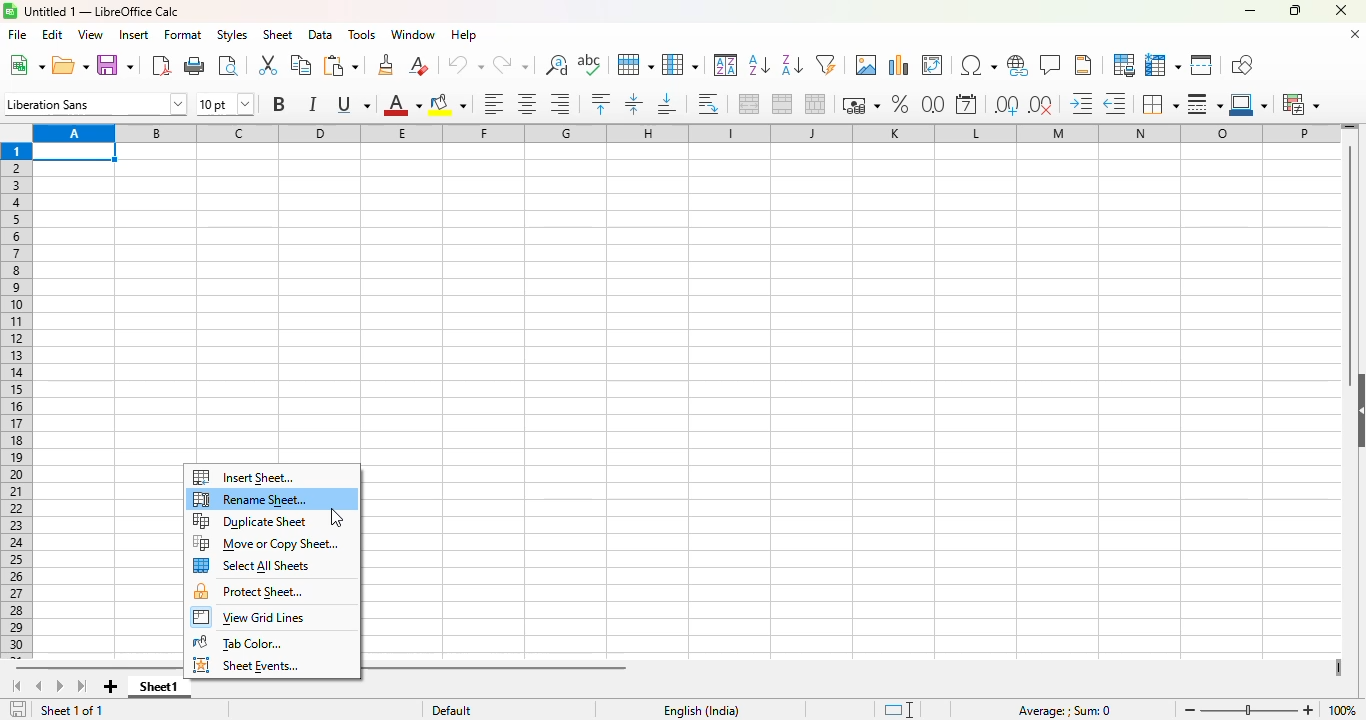  Describe the element at coordinates (1085, 65) in the screenshot. I see `headers and footers` at that location.